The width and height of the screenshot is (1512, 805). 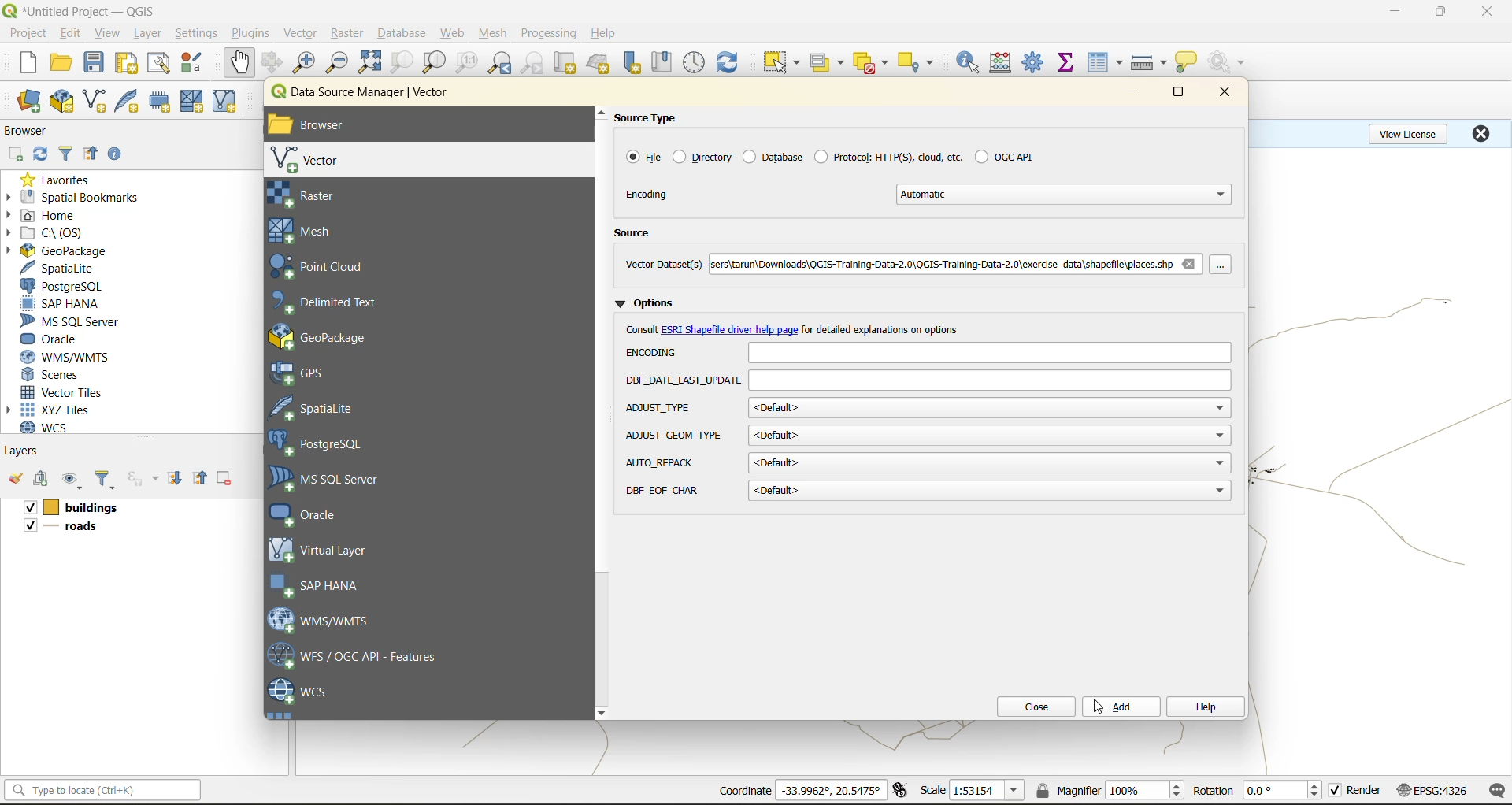 What do you see at coordinates (661, 462) in the screenshot?
I see `auto repack` at bounding box center [661, 462].